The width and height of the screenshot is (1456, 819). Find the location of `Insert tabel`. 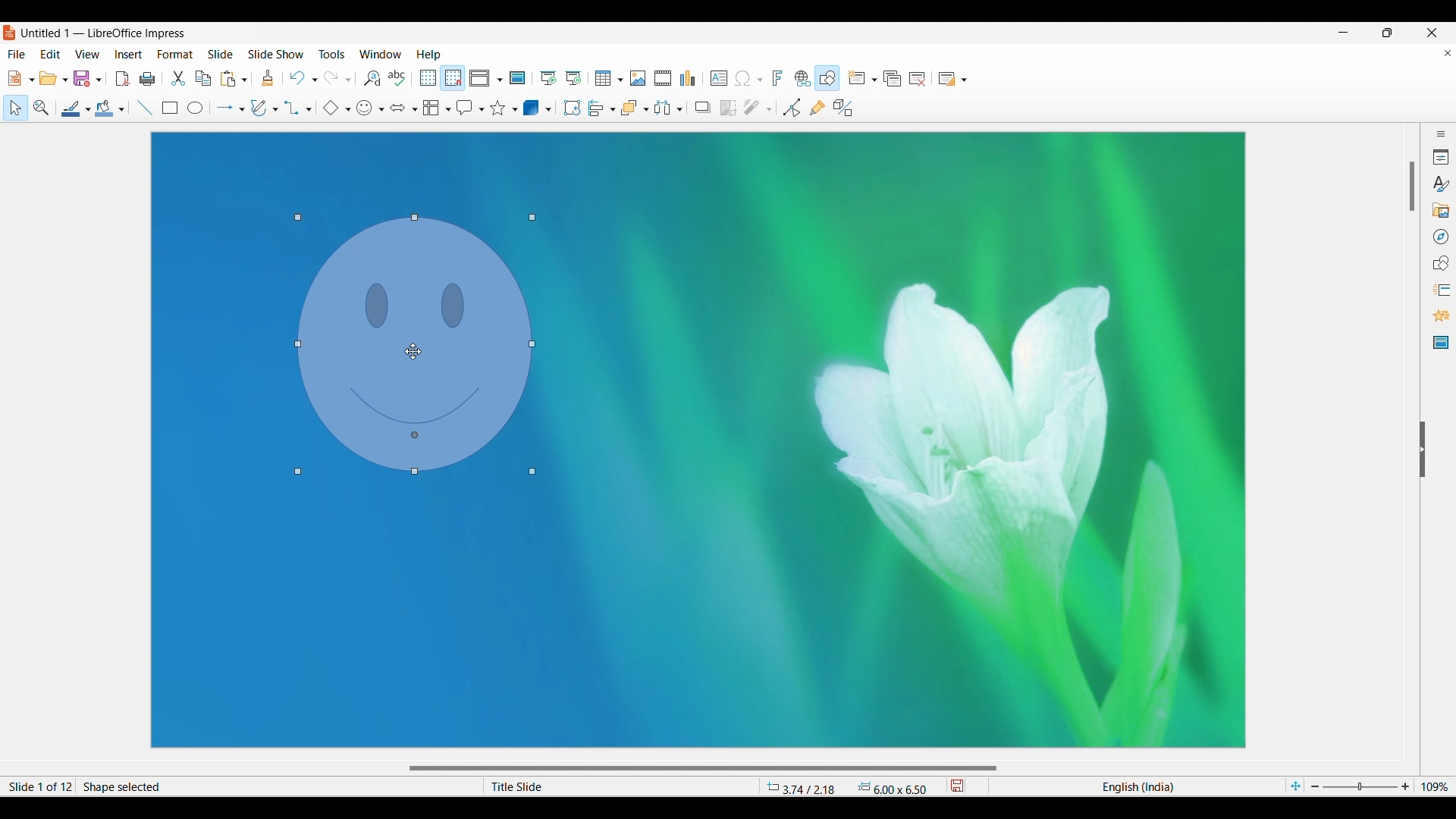

Insert tabel is located at coordinates (609, 78).